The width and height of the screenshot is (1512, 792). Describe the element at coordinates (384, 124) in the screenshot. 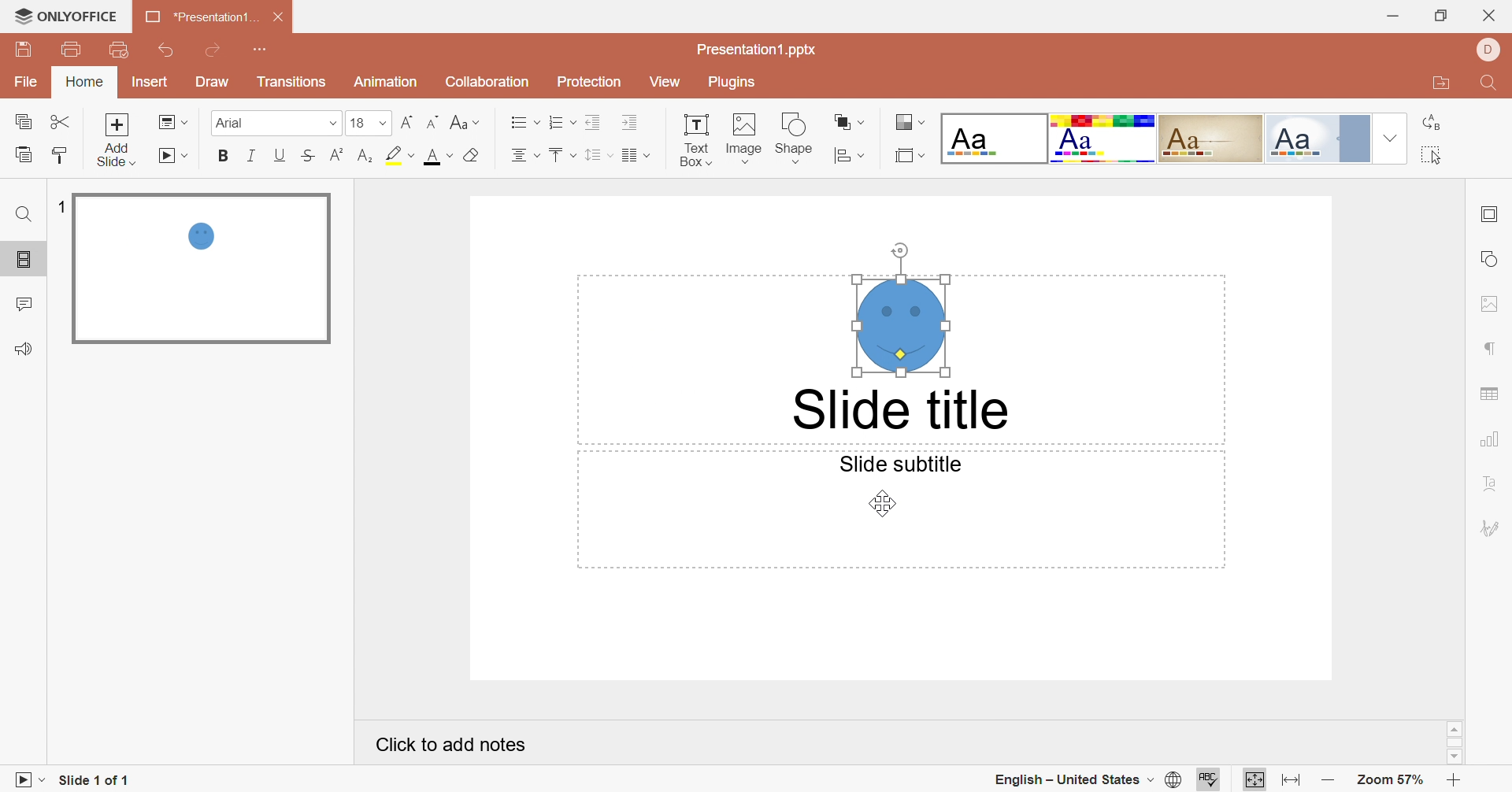

I see `Drop Down` at that location.